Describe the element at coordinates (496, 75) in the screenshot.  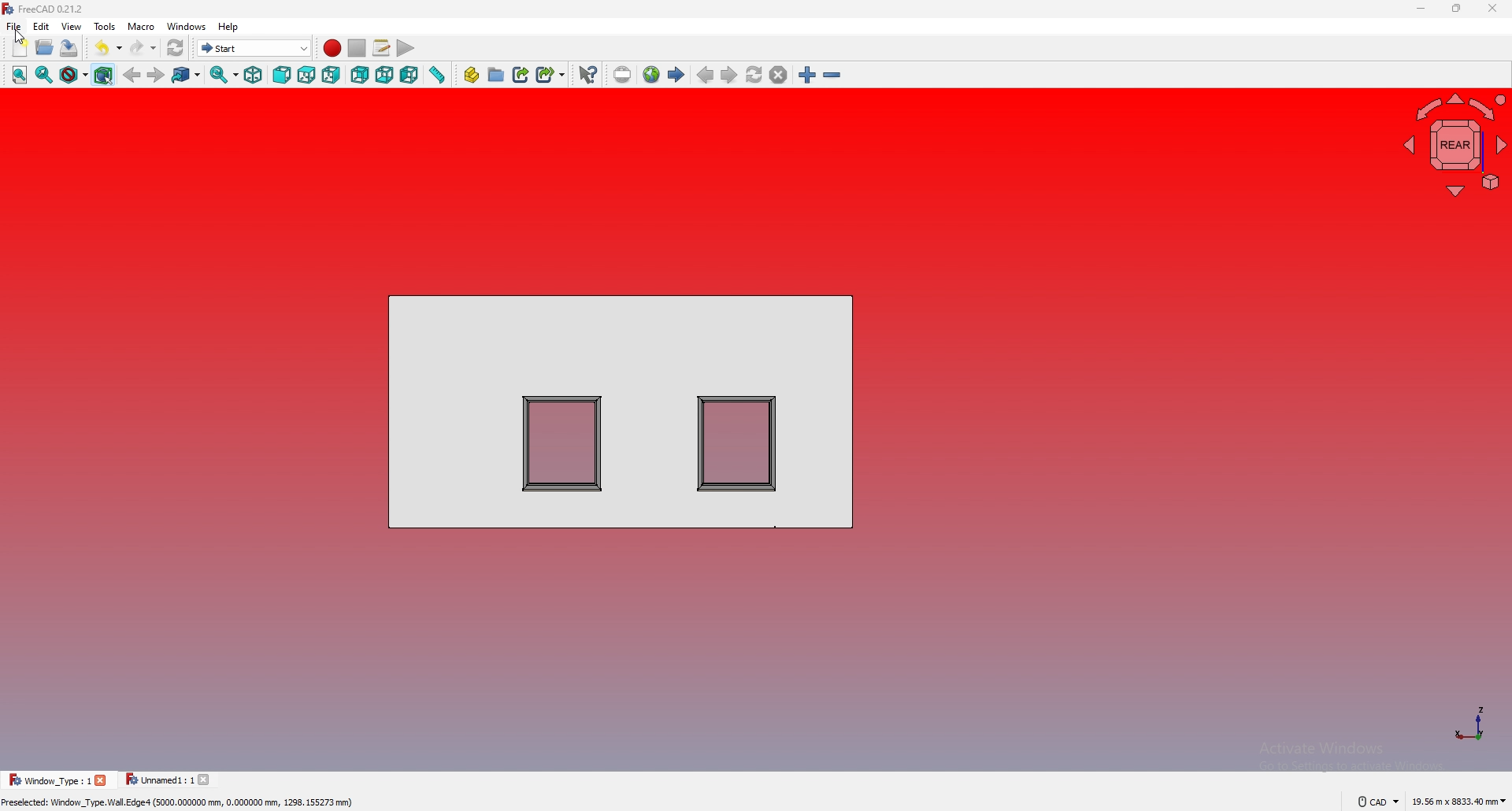
I see `create group` at that location.